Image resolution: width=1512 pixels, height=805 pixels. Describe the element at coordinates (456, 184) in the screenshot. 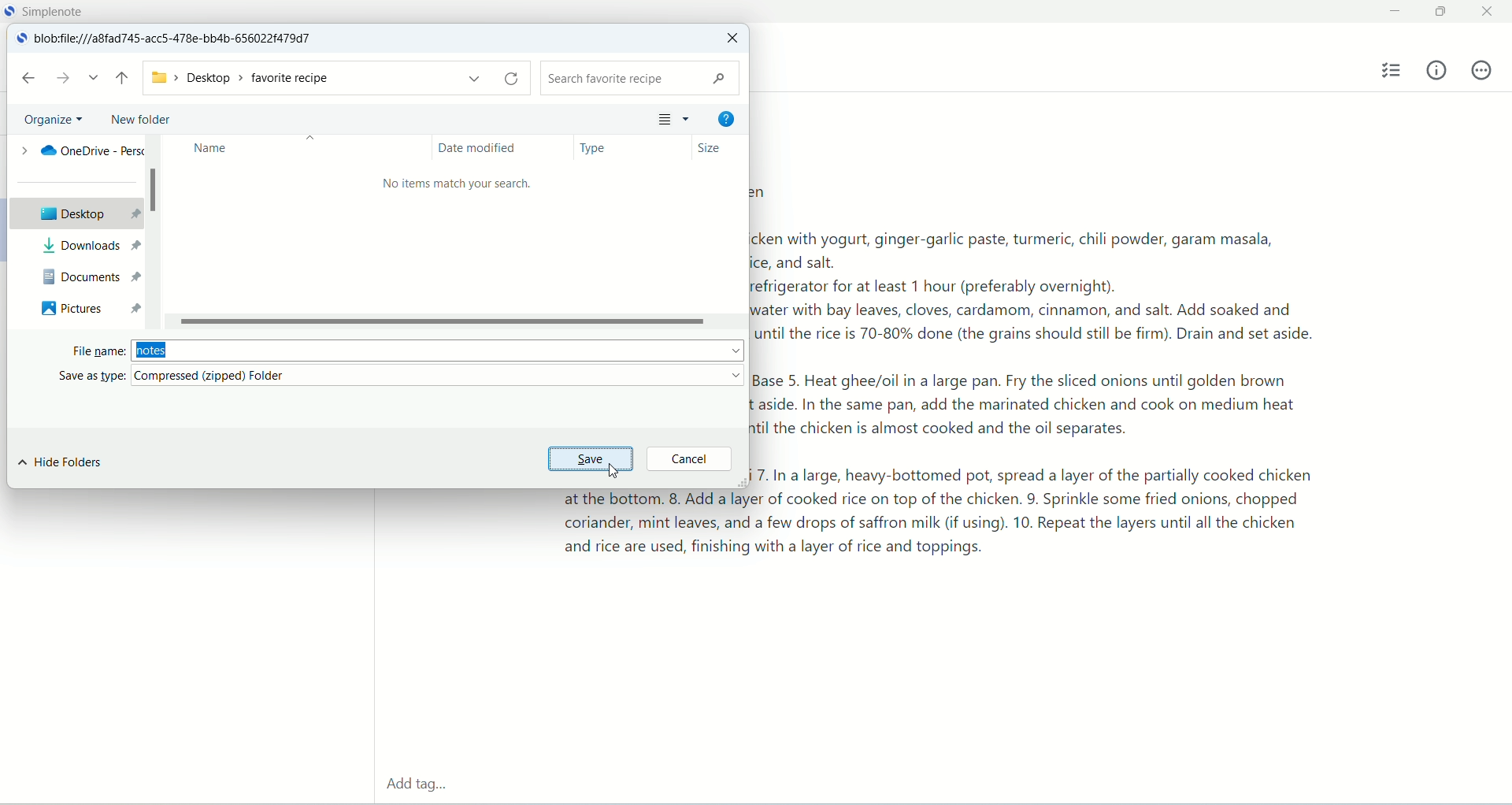

I see `no items match your search` at that location.